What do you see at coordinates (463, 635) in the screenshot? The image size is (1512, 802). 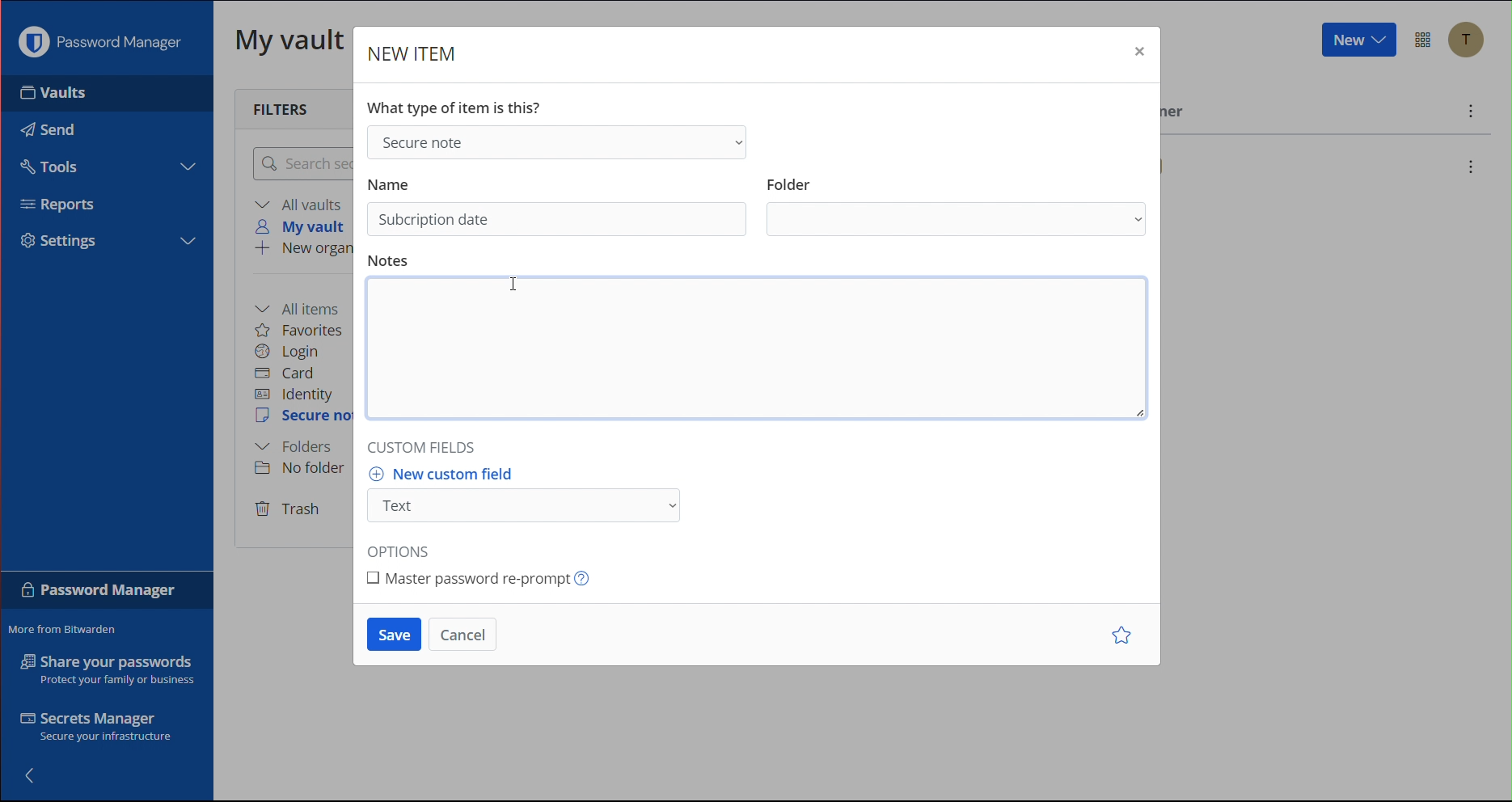 I see `Cancel` at bounding box center [463, 635].